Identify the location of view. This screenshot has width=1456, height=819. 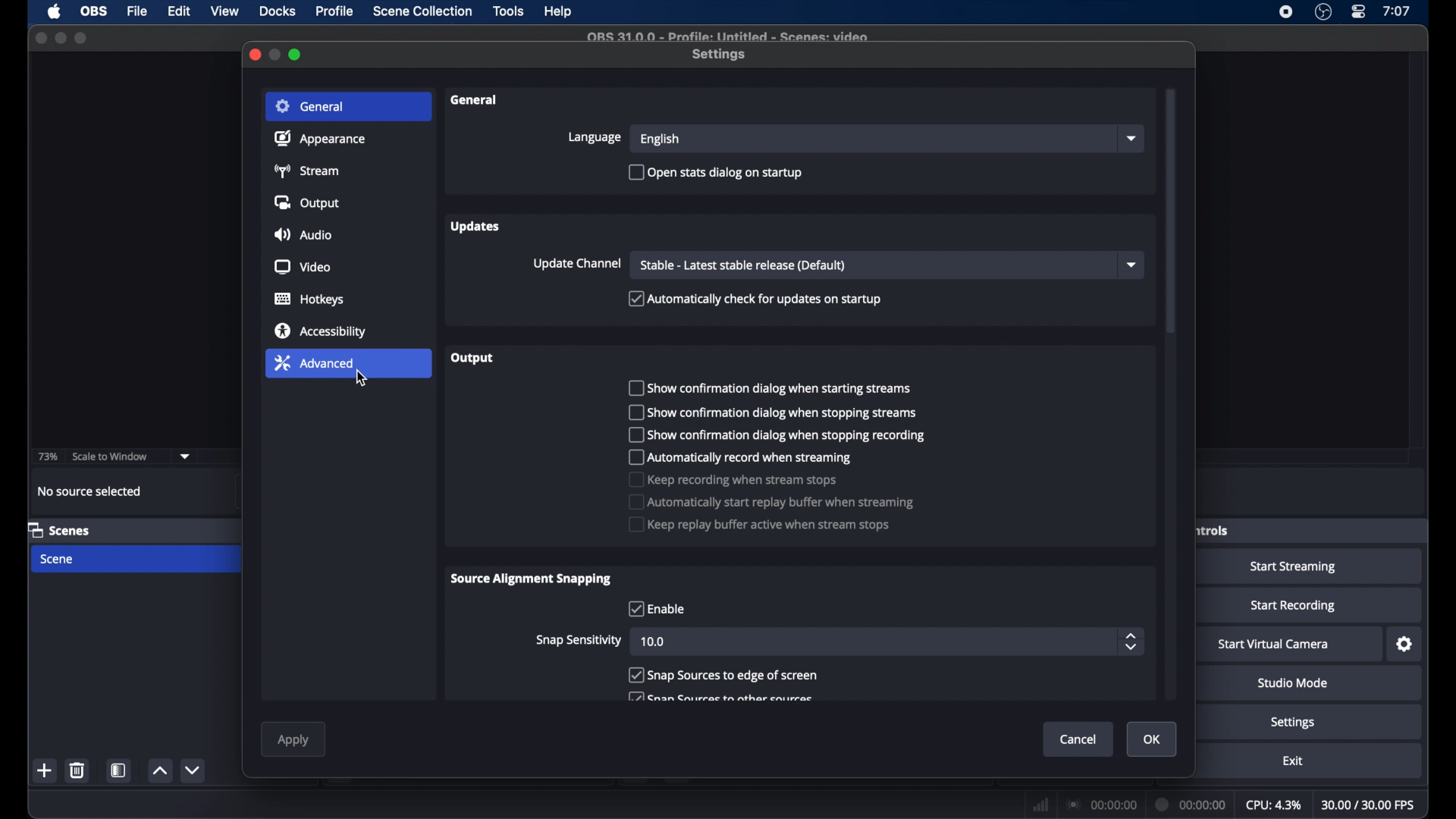
(226, 11).